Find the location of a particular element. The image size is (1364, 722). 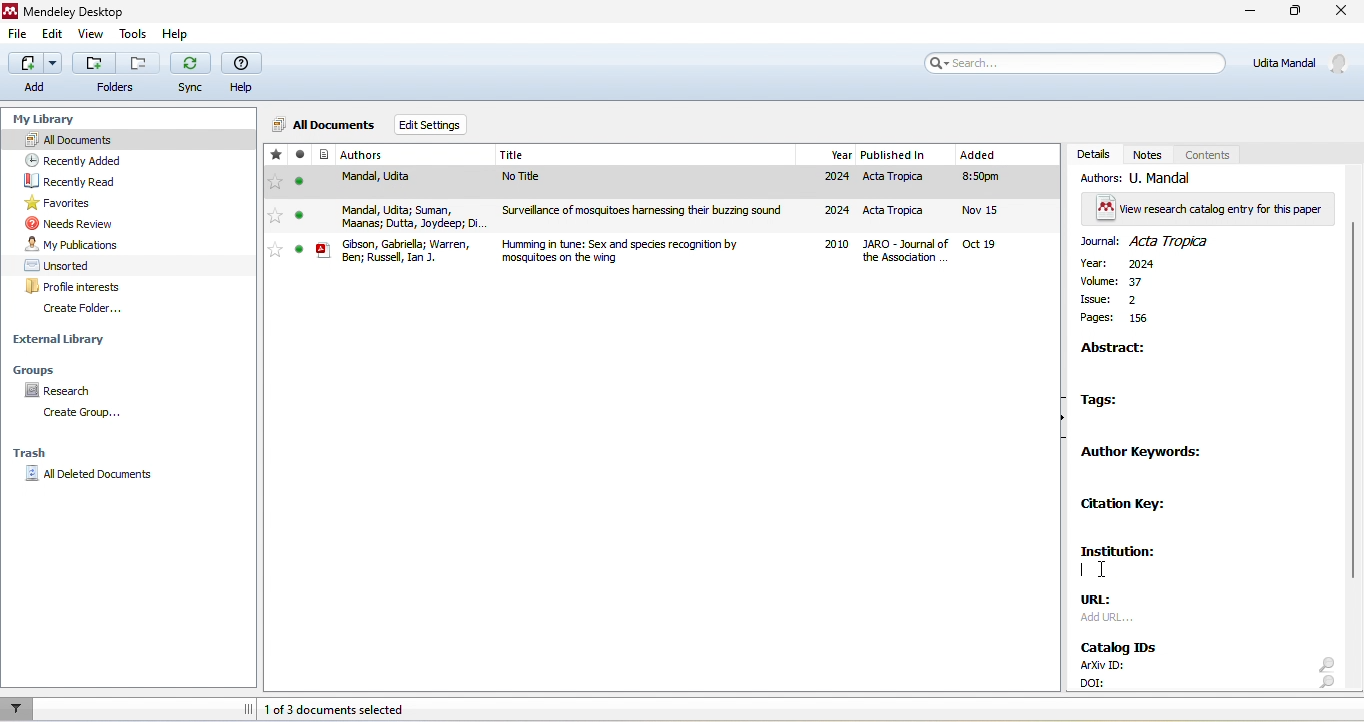

file is located at coordinates (19, 34).